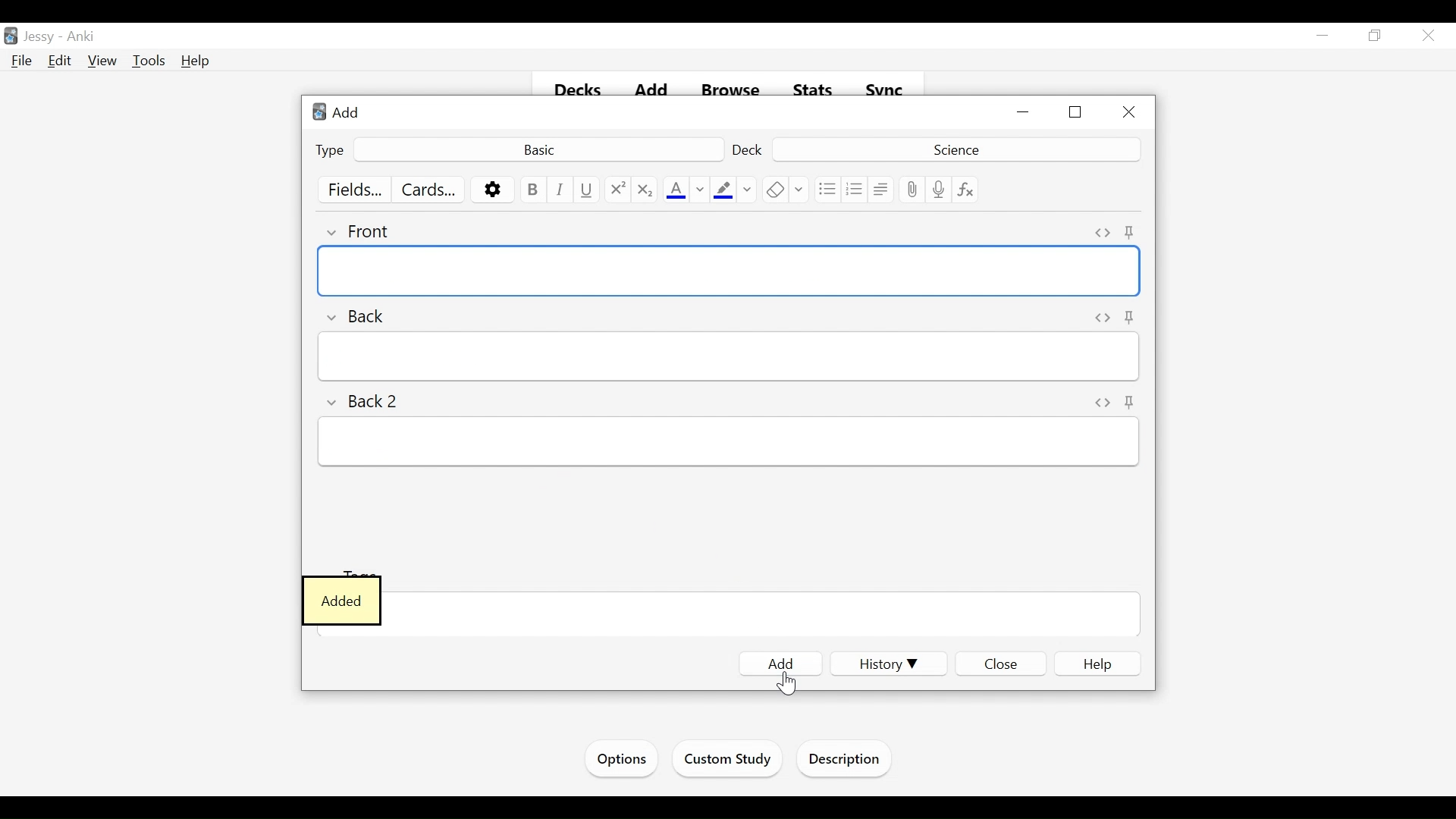 Image resolution: width=1456 pixels, height=819 pixels. What do you see at coordinates (748, 190) in the screenshot?
I see `Change Color` at bounding box center [748, 190].